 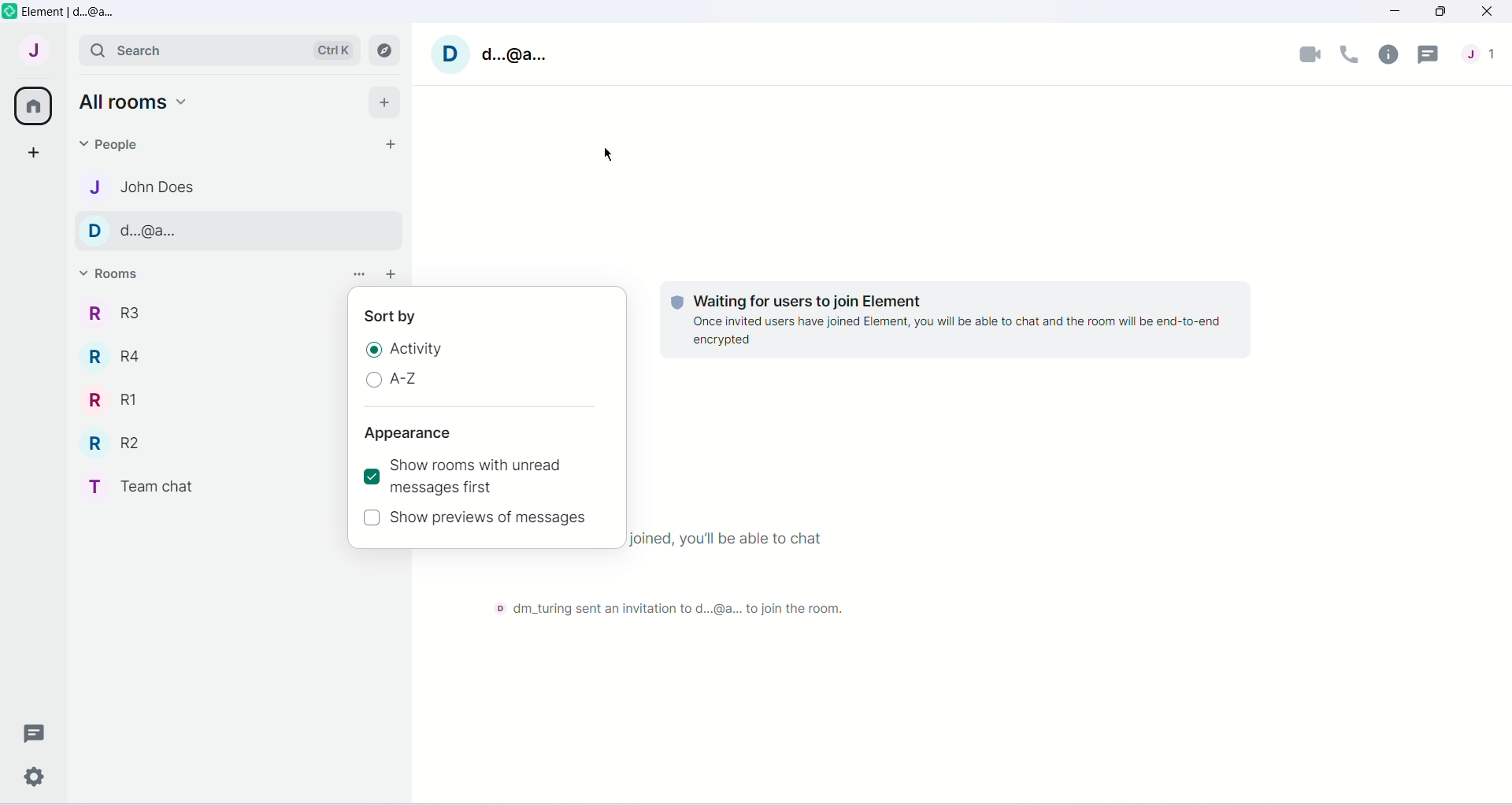 What do you see at coordinates (117, 444) in the screenshot?
I see `Room Name-r2` at bounding box center [117, 444].